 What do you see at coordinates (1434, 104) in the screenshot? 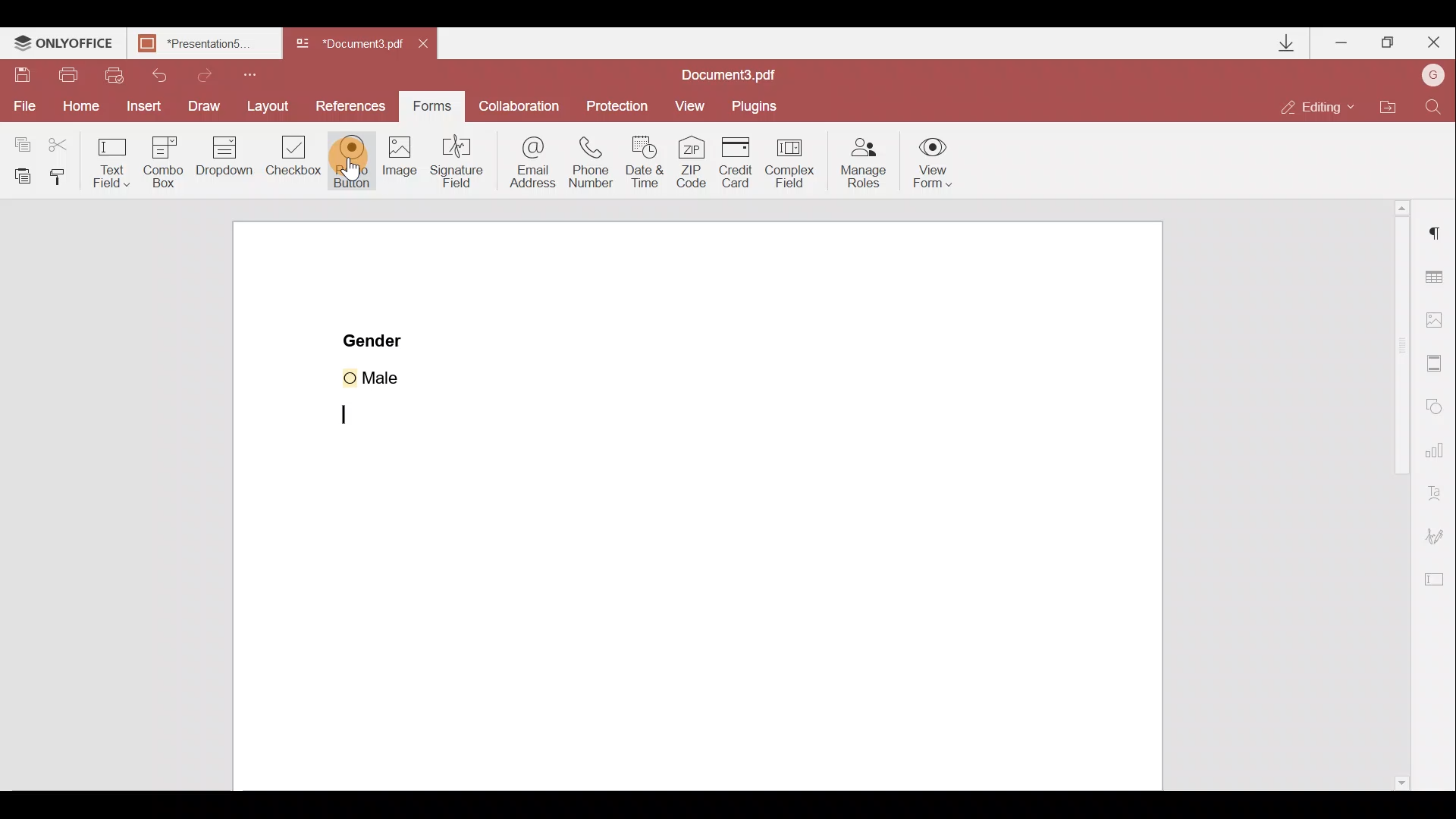
I see `Find` at bounding box center [1434, 104].